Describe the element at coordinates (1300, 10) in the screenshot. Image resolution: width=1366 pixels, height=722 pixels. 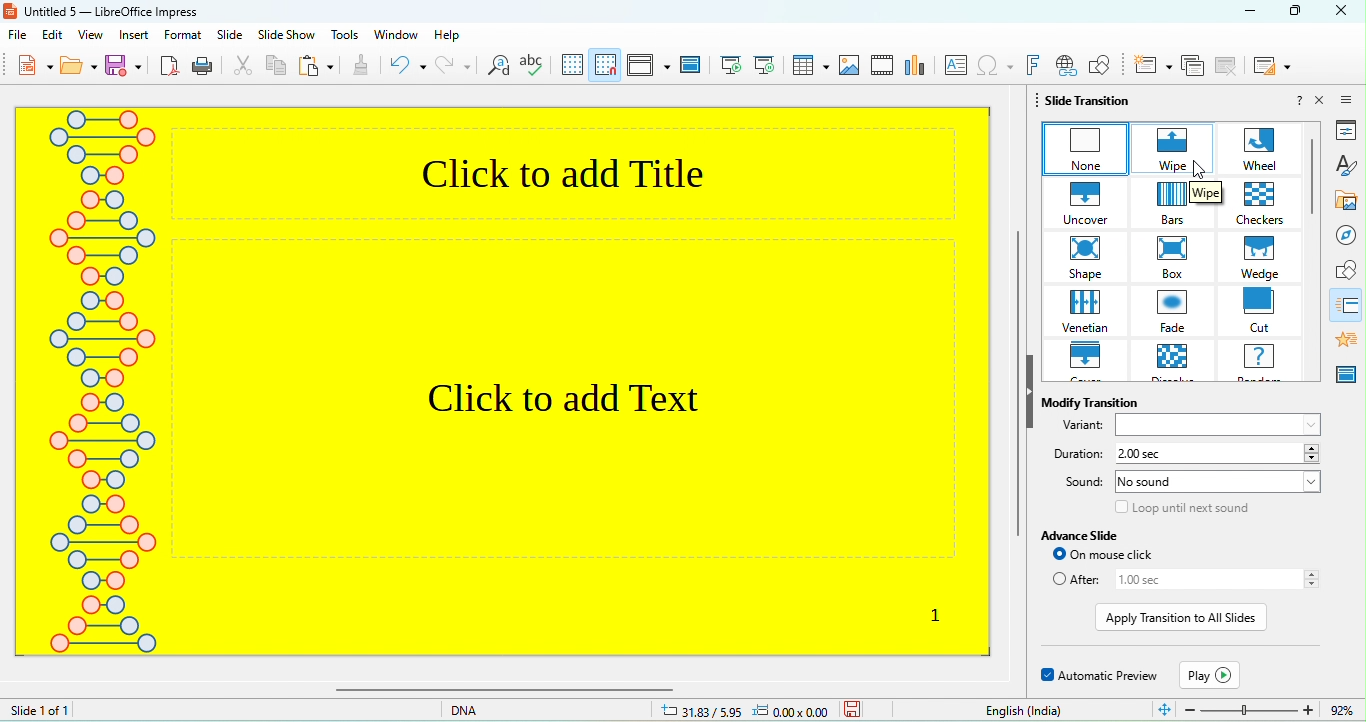
I see `maximize` at that location.